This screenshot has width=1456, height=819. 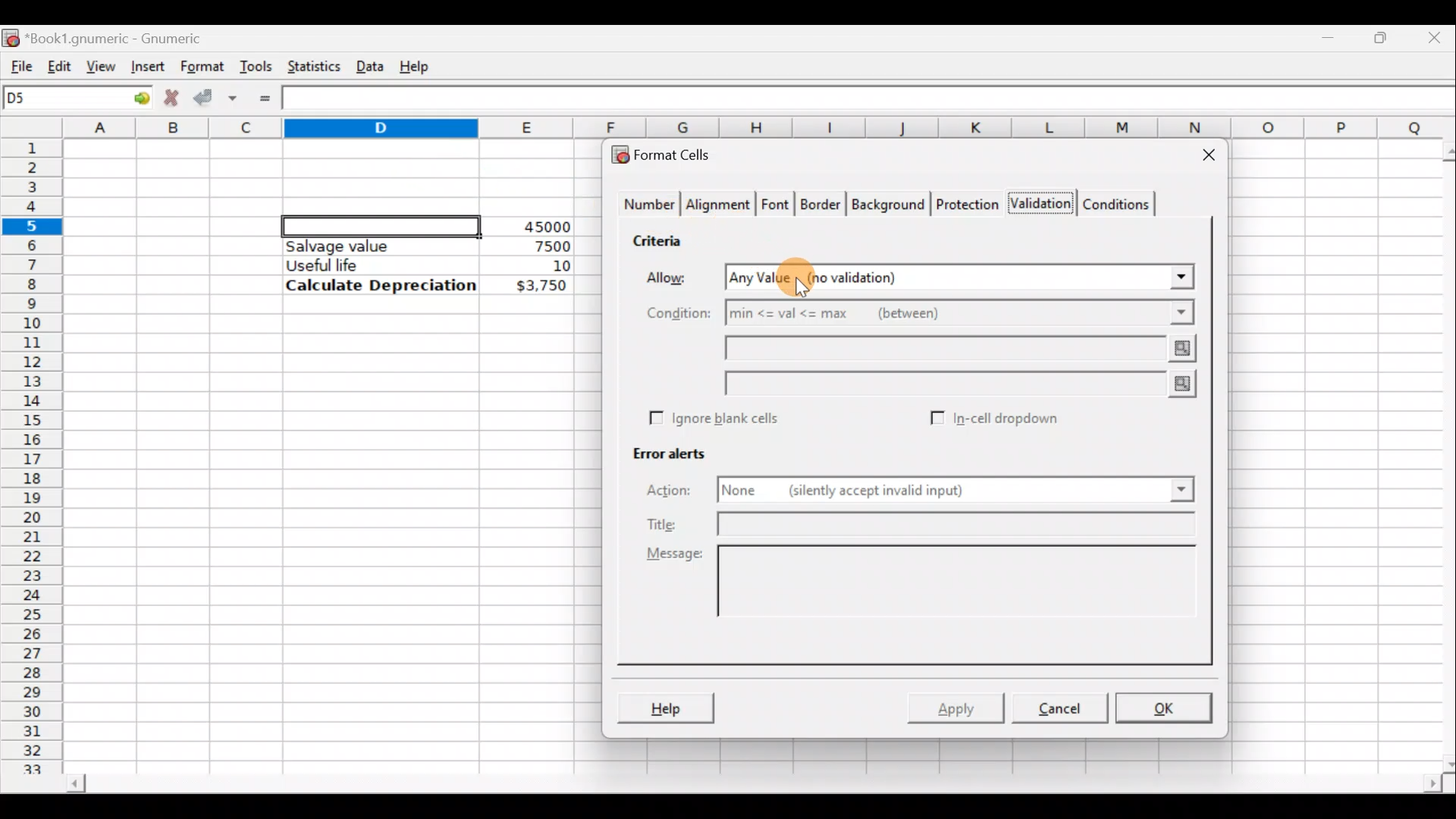 I want to click on Scroll bar, so click(x=1439, y=454).